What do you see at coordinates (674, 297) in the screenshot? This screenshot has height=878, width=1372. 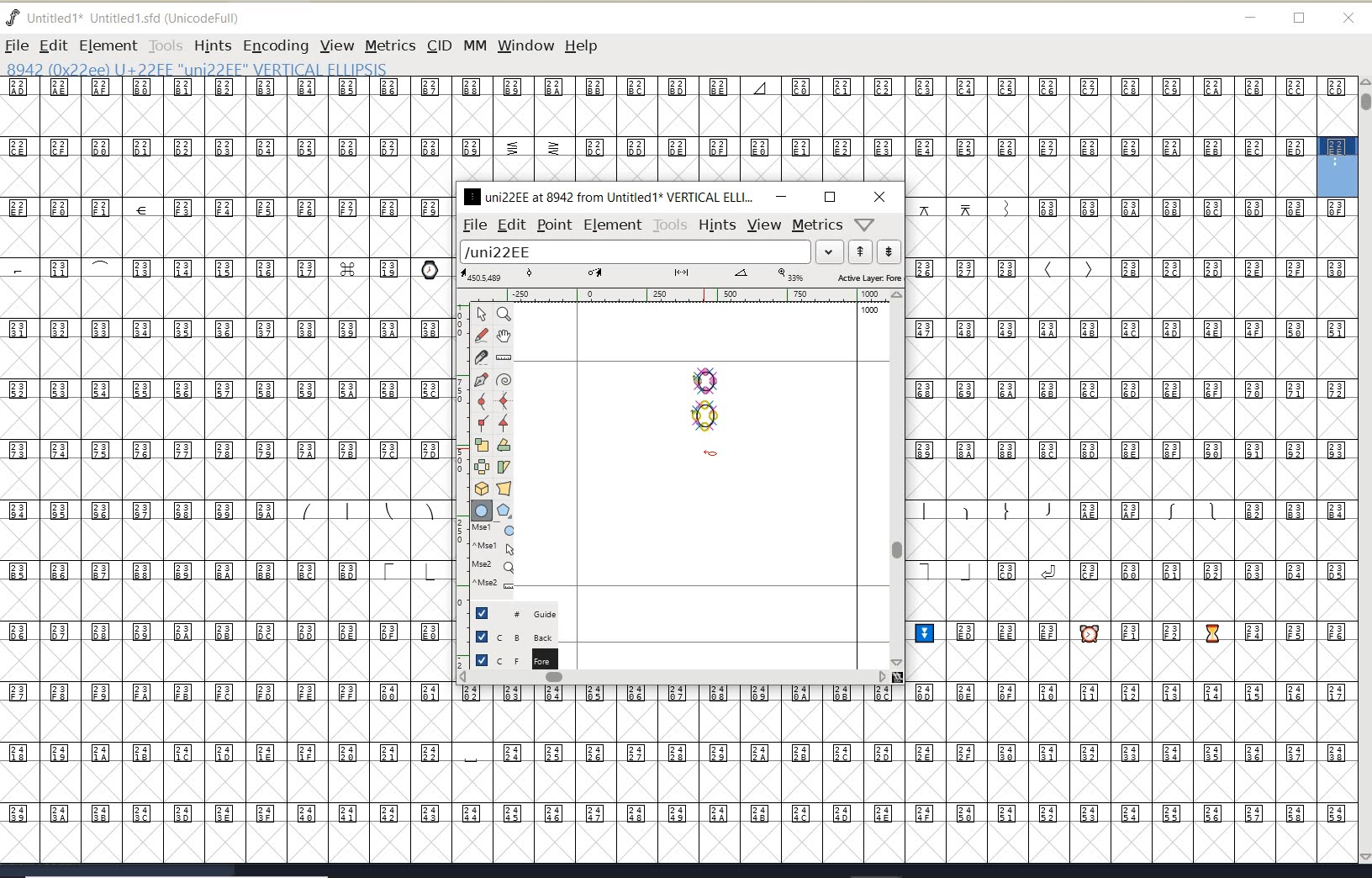 I see `ruler` at bounding box center [674, 297].